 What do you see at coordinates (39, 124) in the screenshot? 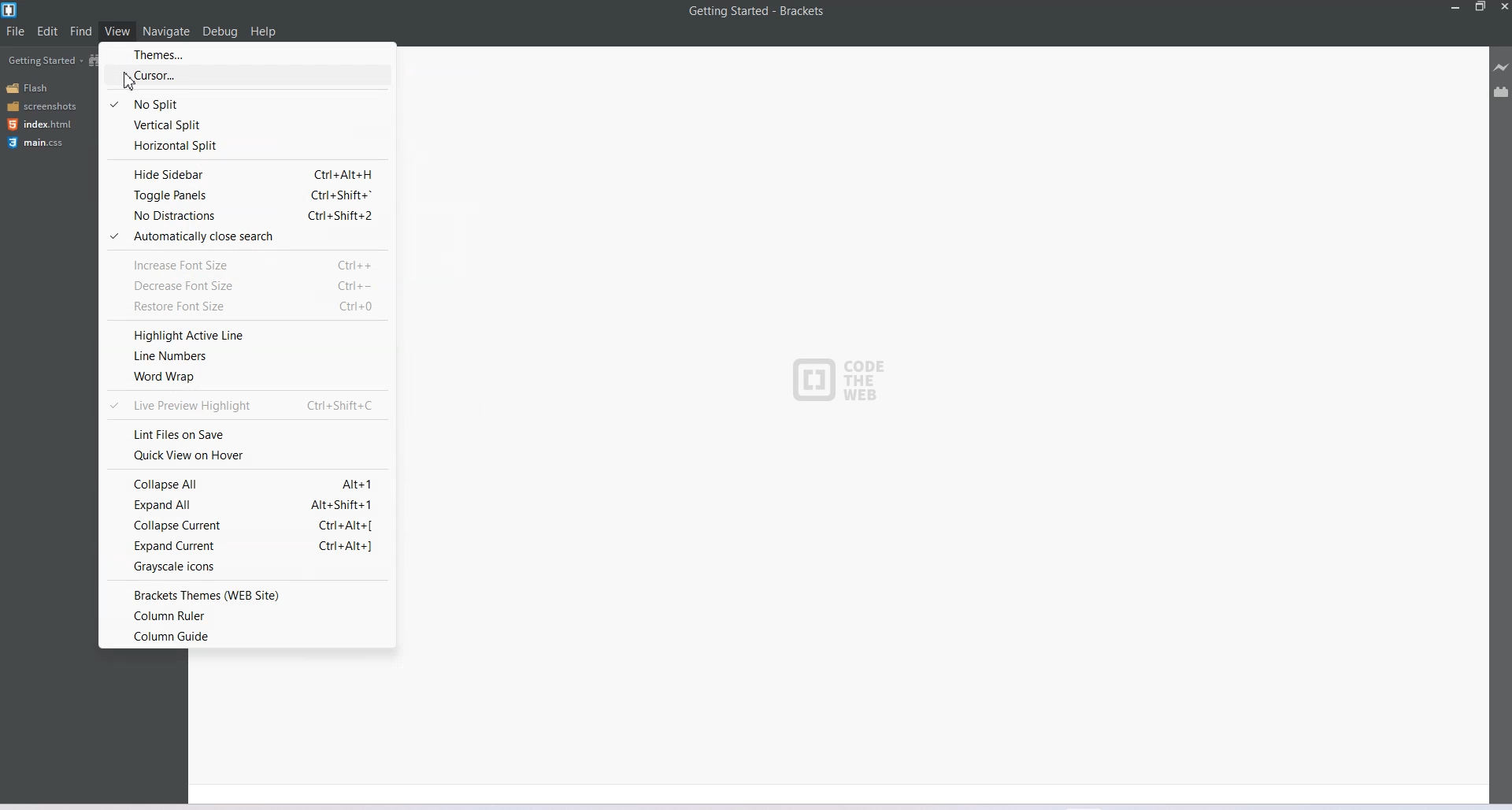
I see `index.html` at bounding box center [39, 124].